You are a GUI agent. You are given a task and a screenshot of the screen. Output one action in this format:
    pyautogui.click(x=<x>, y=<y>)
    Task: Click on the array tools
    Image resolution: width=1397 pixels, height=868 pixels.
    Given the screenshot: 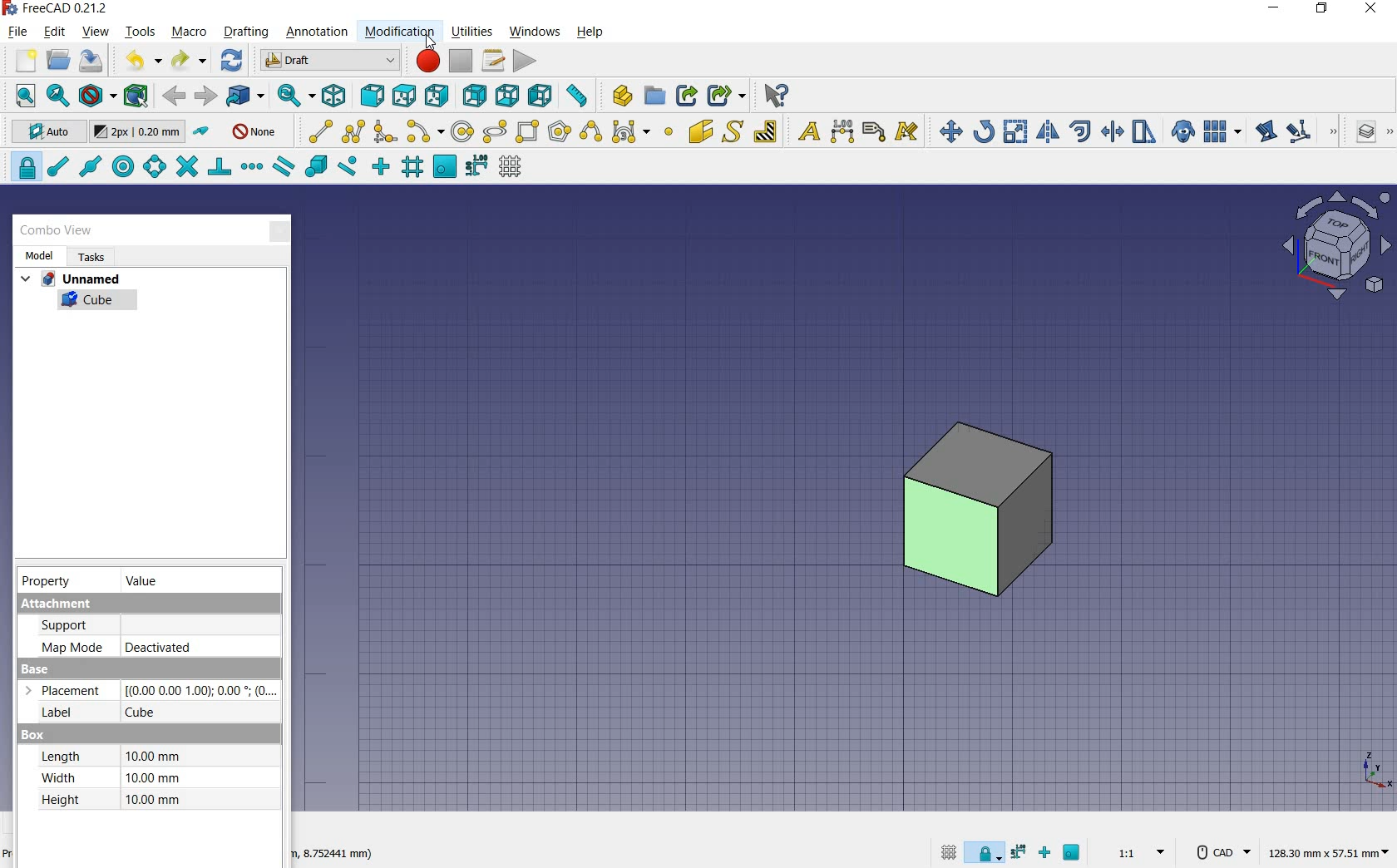 What is the action you would take?
    pyautogui.click(x=1221, y=131)
    